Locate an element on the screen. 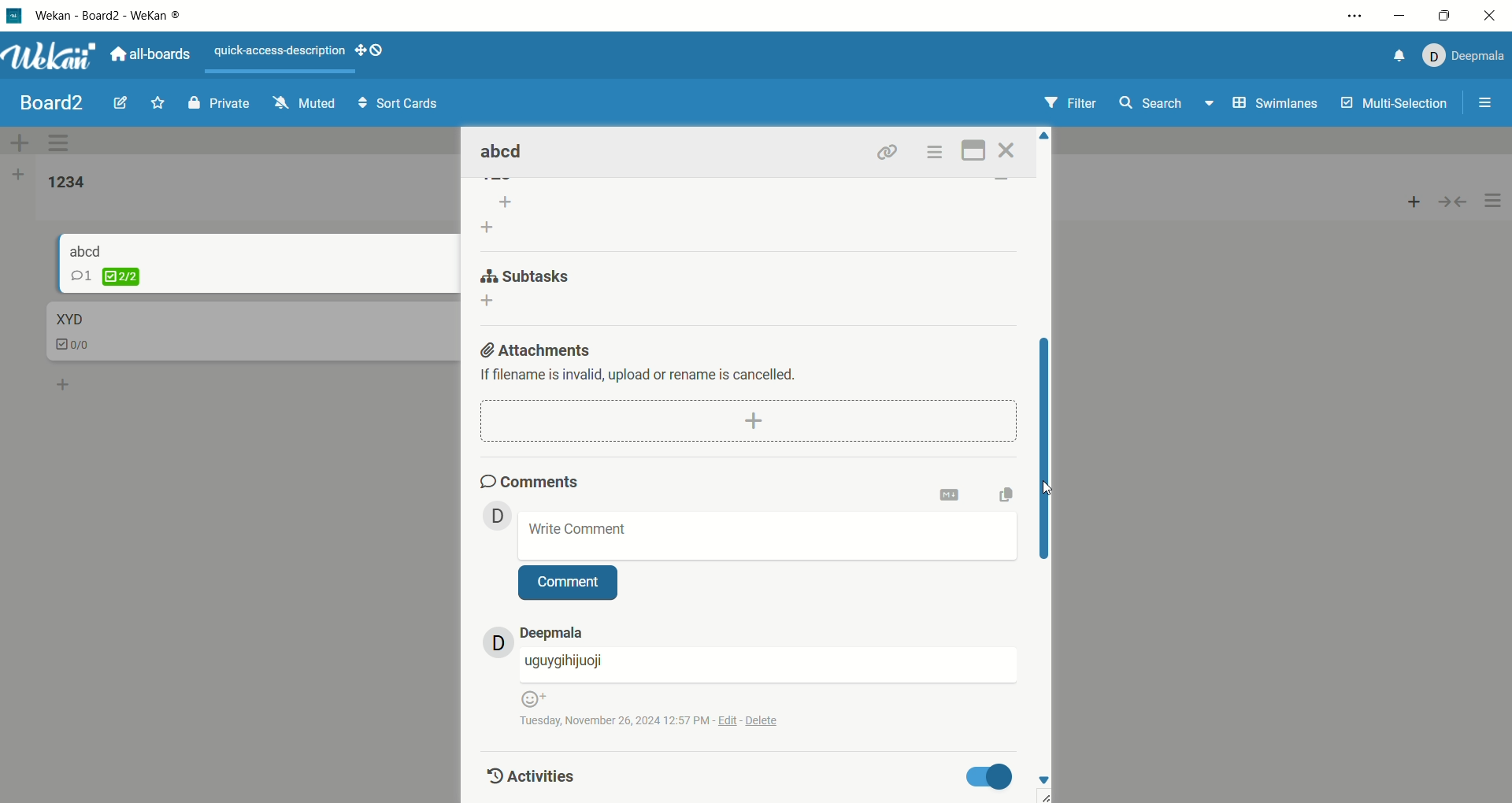 Image resolution: width=1512 pixels, height=803 pixels. multi-selection is located at coordinates (1396, 104).